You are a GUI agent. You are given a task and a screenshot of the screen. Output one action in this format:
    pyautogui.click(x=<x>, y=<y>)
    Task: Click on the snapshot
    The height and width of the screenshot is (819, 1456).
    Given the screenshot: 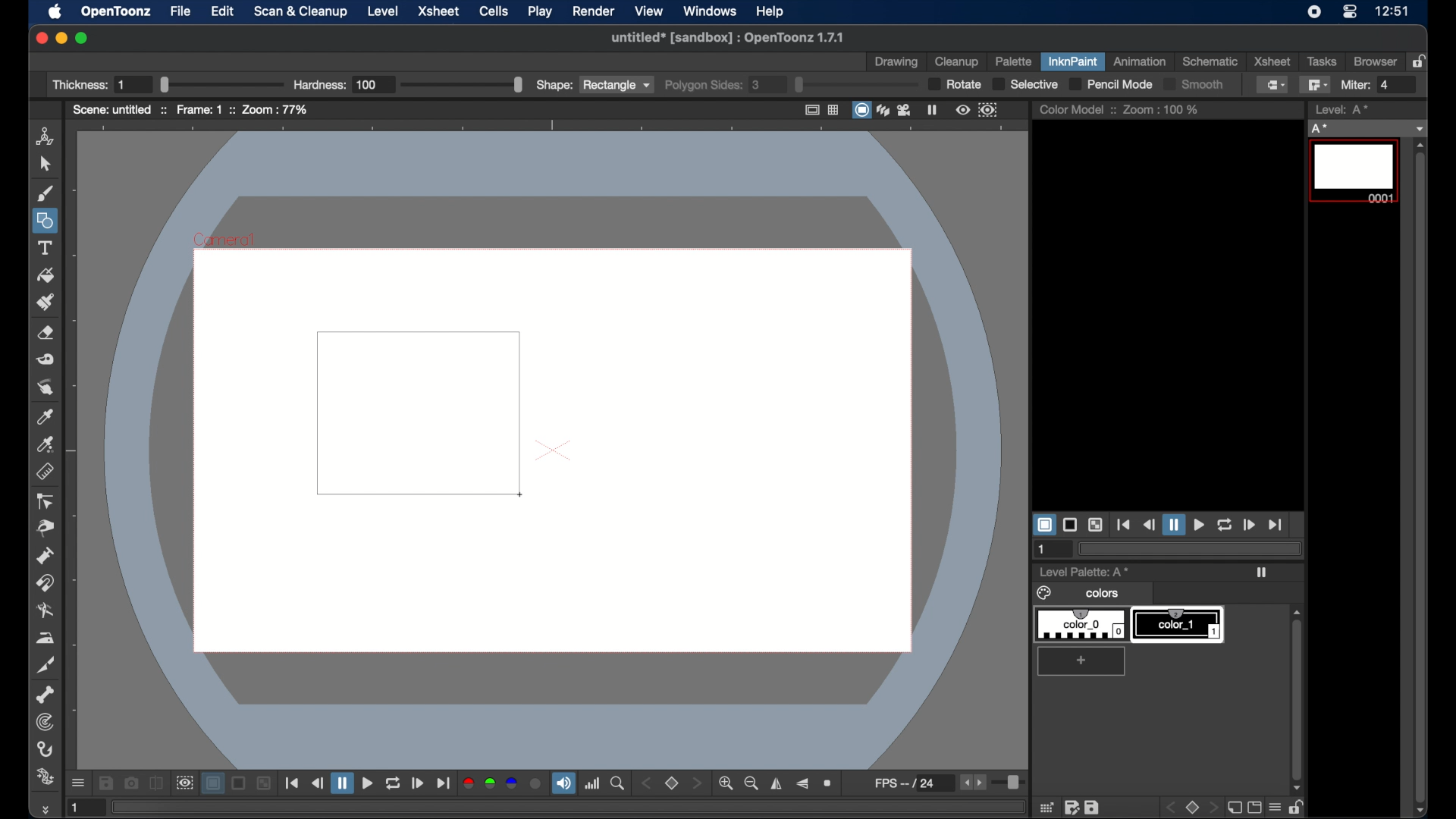 What is the action you would take?
    pyautogui.click(x=130, y=782)
    